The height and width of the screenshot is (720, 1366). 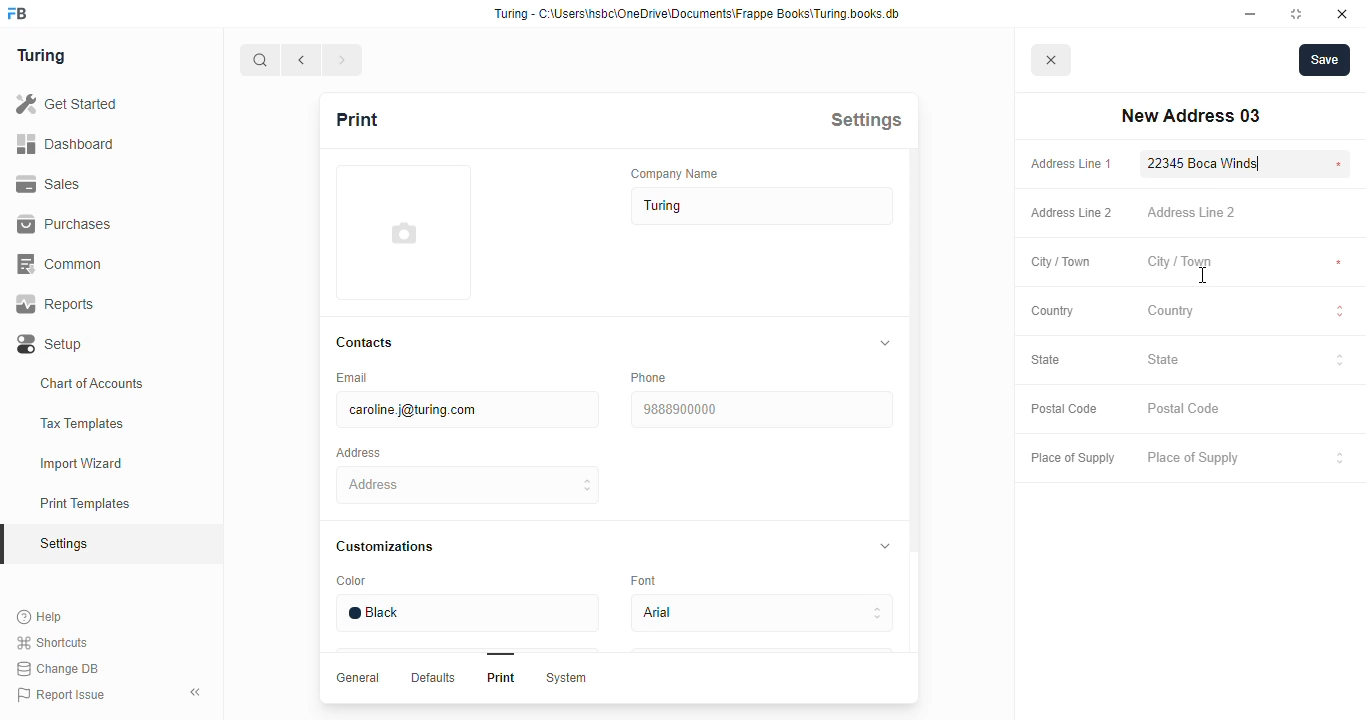 I want to click on font, so click(x=647, y=579).